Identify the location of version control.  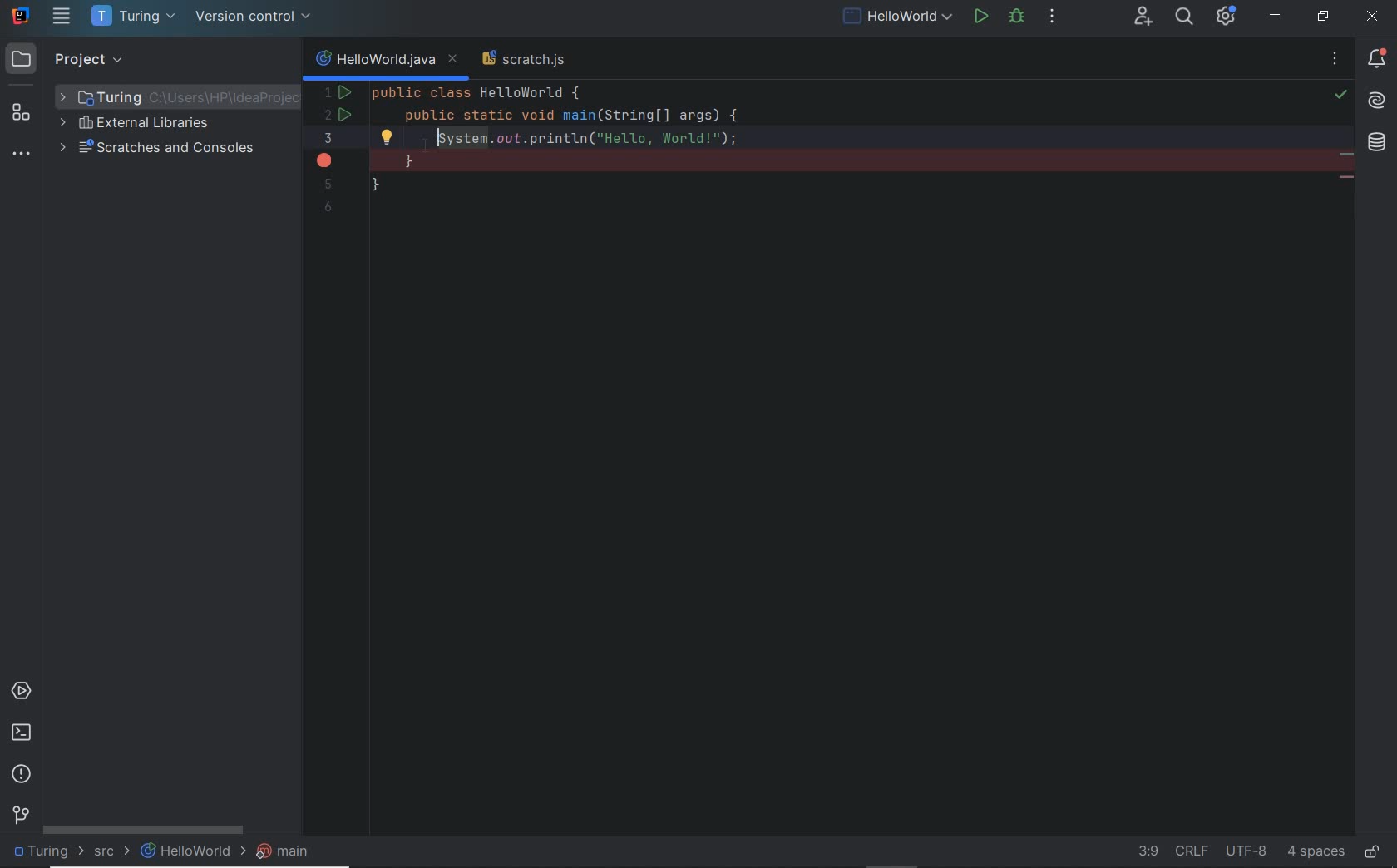
(18, 813).